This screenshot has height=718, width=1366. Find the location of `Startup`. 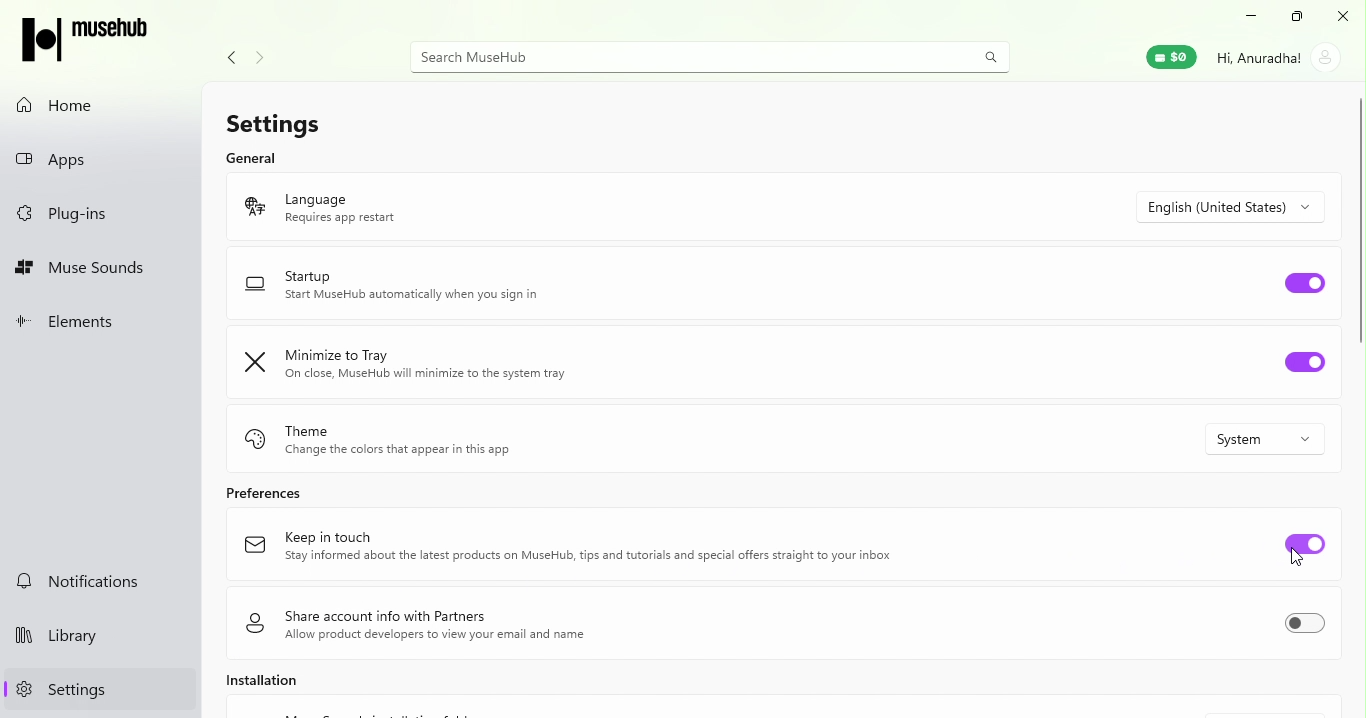

Startup is located at coordinates (501, 284).